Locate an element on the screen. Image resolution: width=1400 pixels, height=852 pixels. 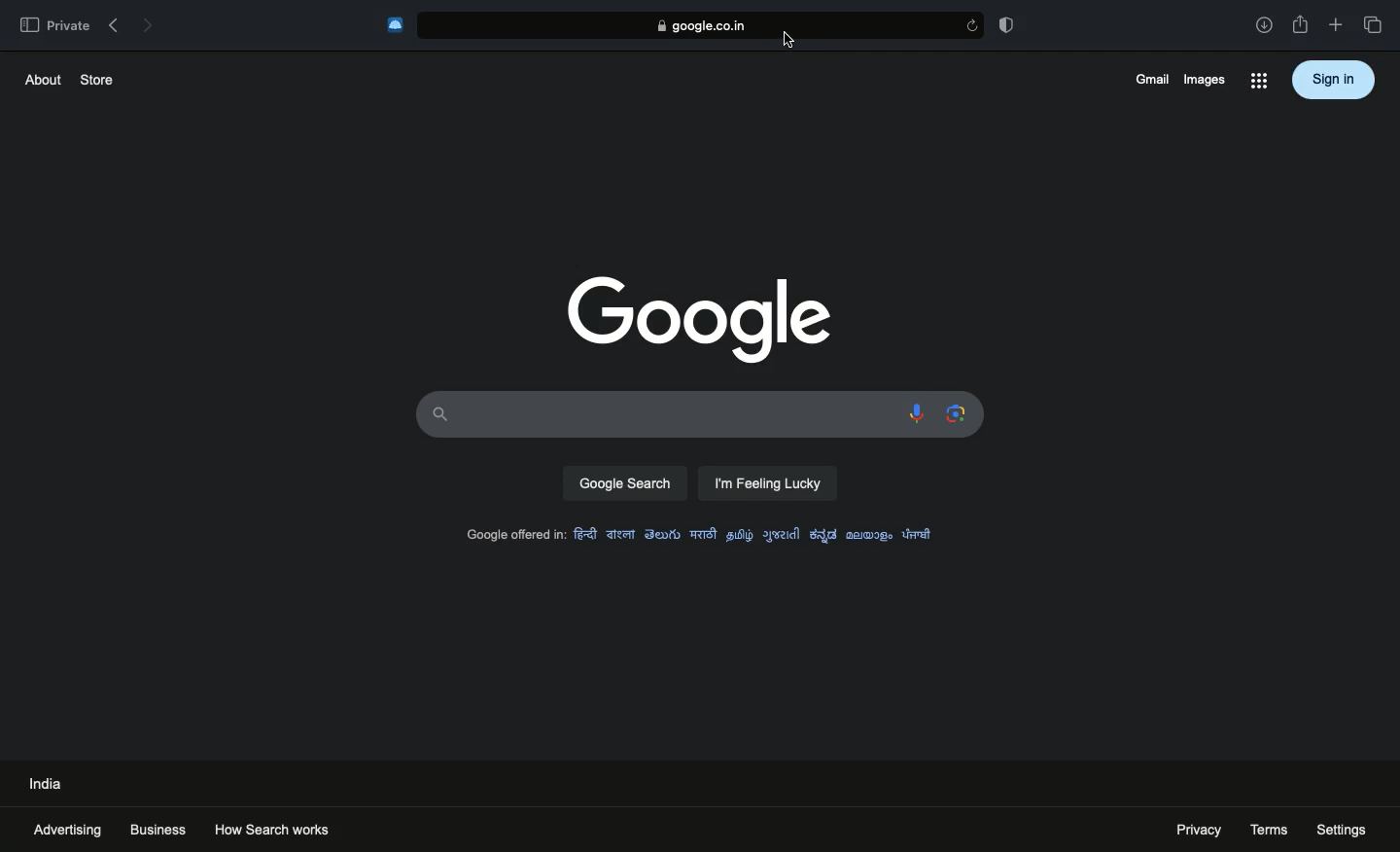
audio recorder is located at coordinates (913, 414).